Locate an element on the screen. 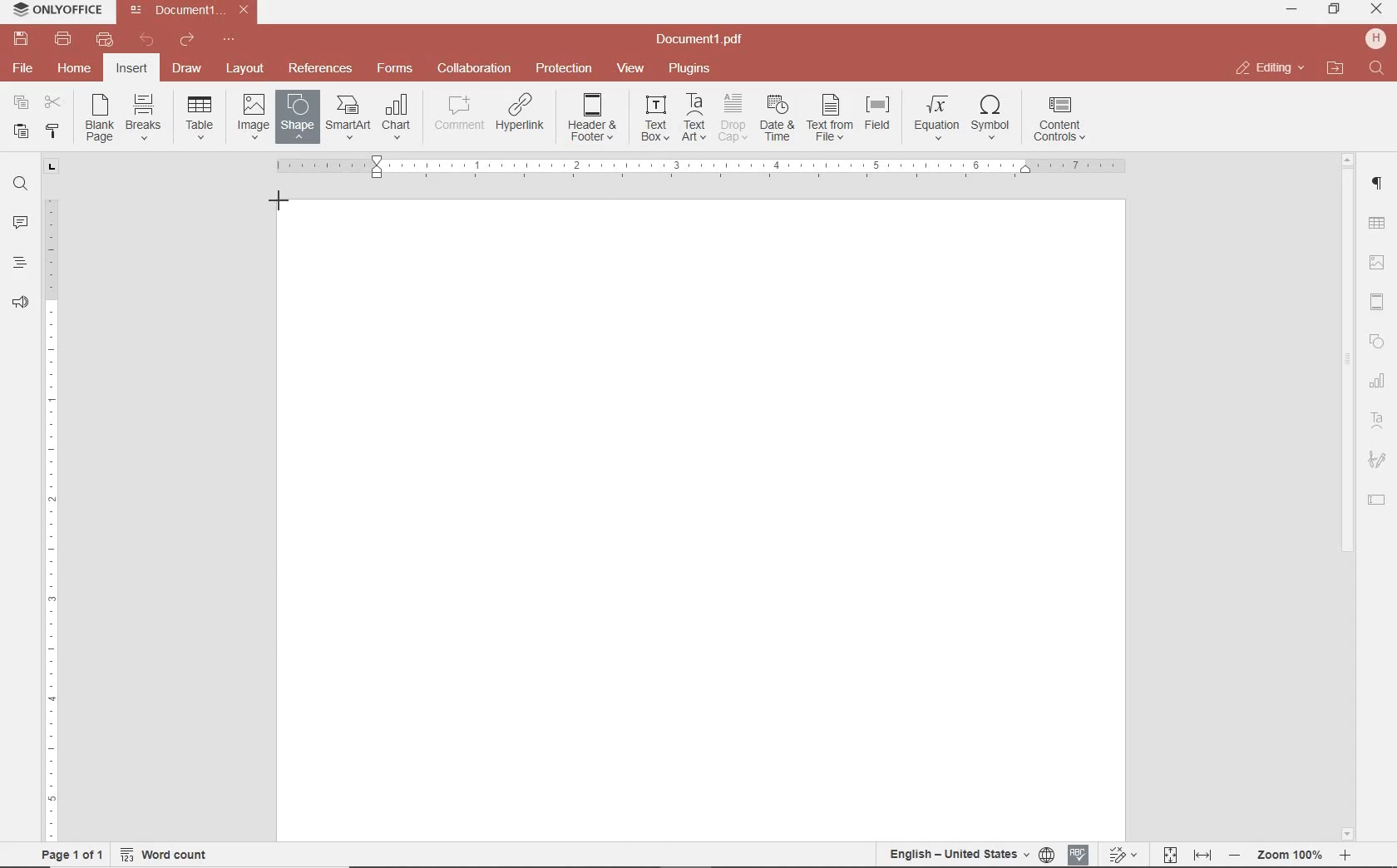  close is located at coordinates (1269, 68).